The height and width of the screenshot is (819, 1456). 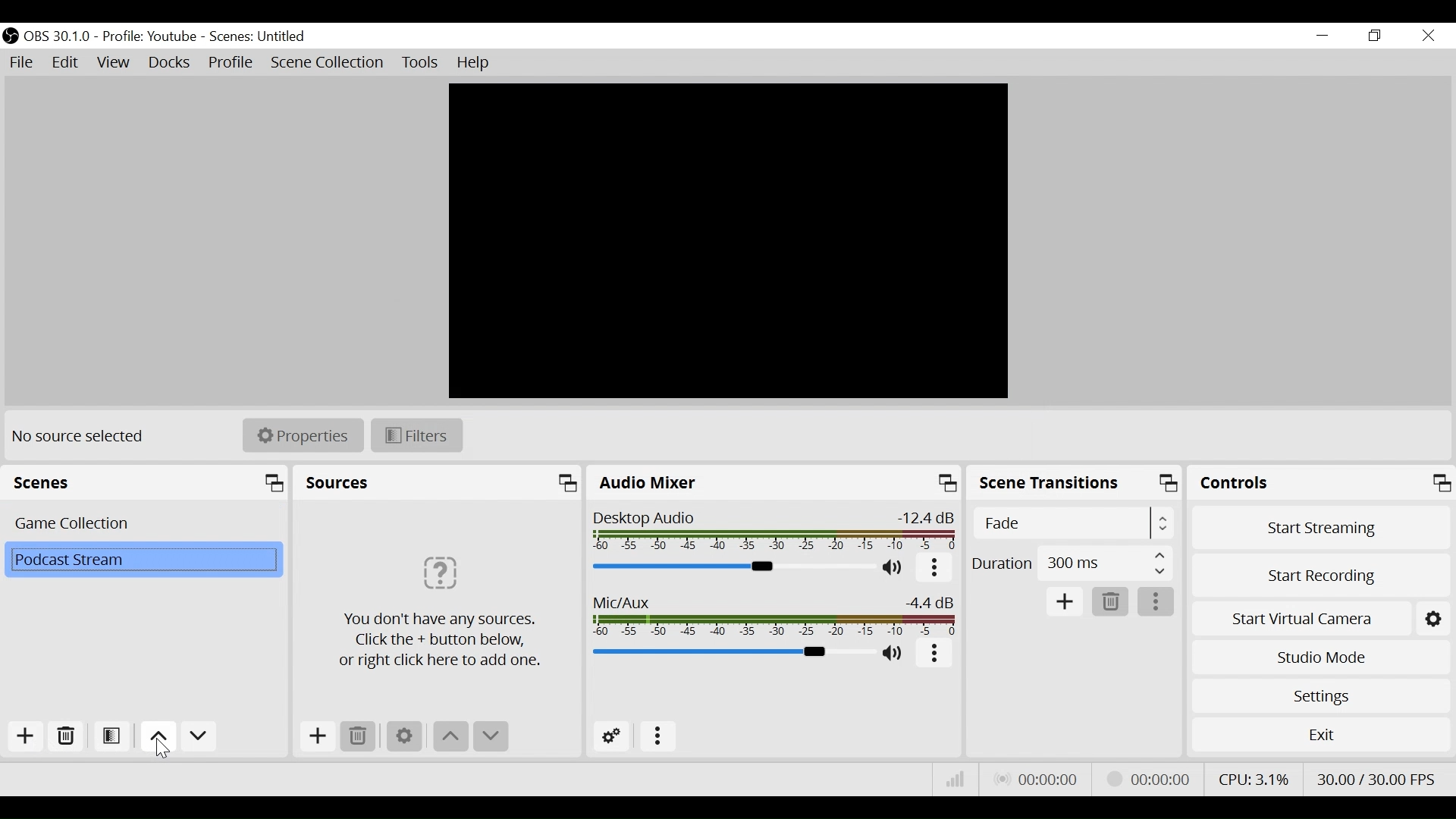 What do you see at coordinates (489, 737) in the screenshot?
I see `Move down` at bounding box center [489, 737].